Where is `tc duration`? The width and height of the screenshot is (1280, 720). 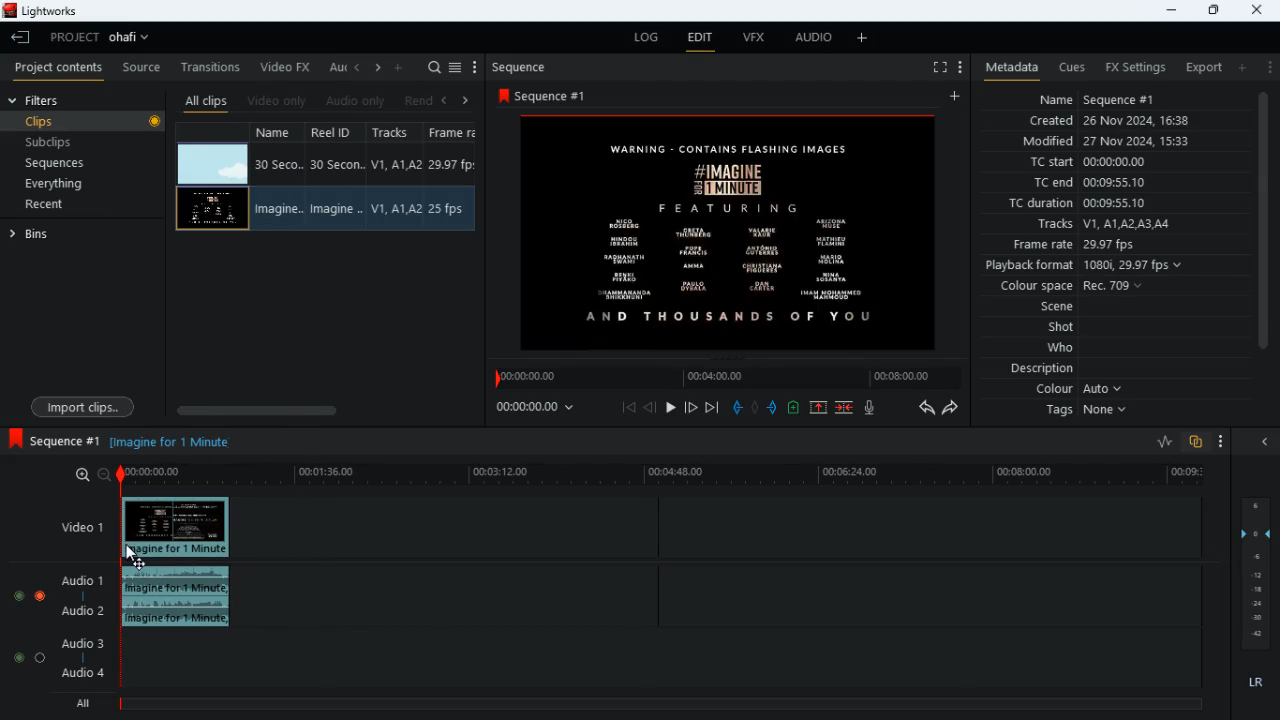
tc duration is located at coordinates (1110, 205).